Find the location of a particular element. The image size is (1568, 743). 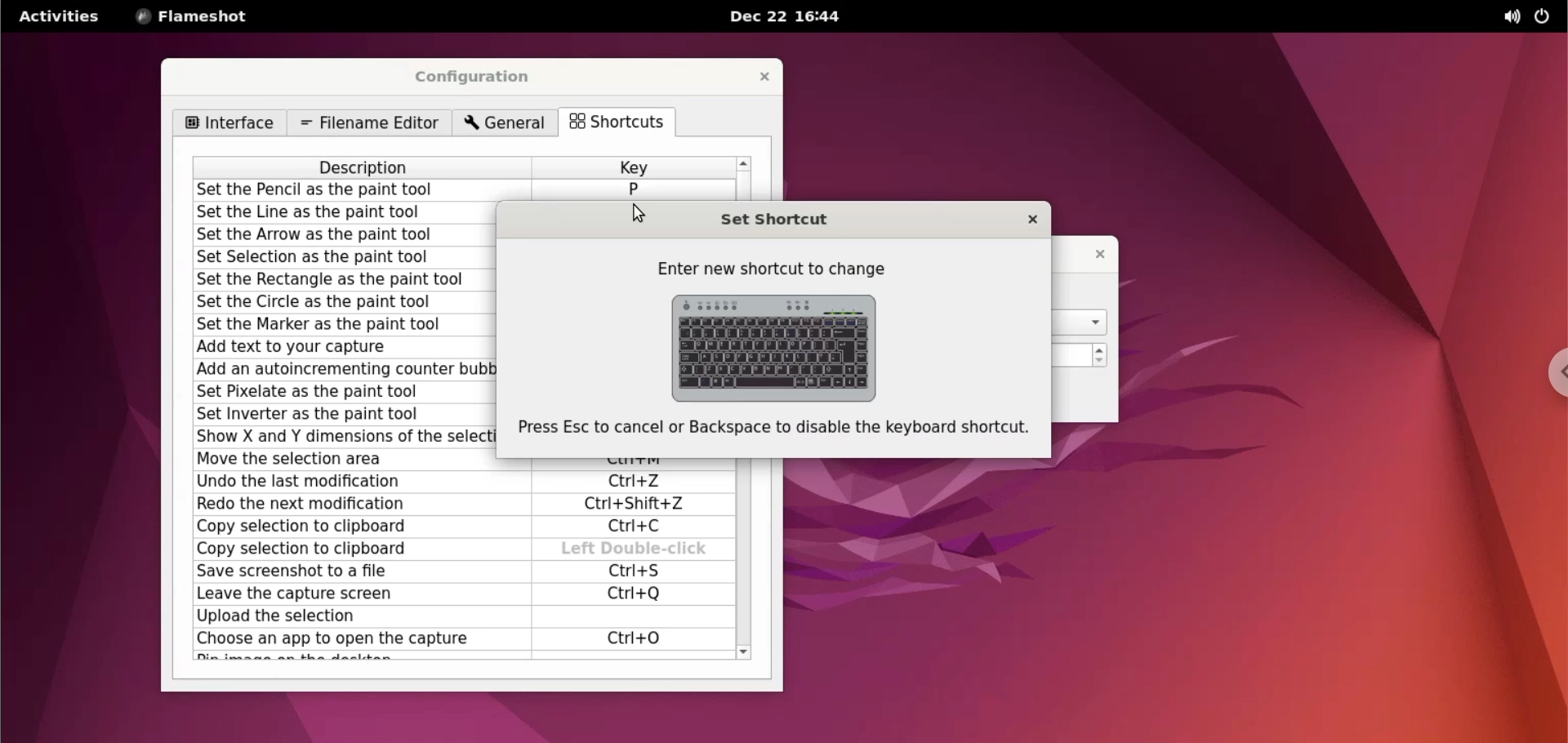

set the arrow as the paint tool is located at coordinates (346, 235).